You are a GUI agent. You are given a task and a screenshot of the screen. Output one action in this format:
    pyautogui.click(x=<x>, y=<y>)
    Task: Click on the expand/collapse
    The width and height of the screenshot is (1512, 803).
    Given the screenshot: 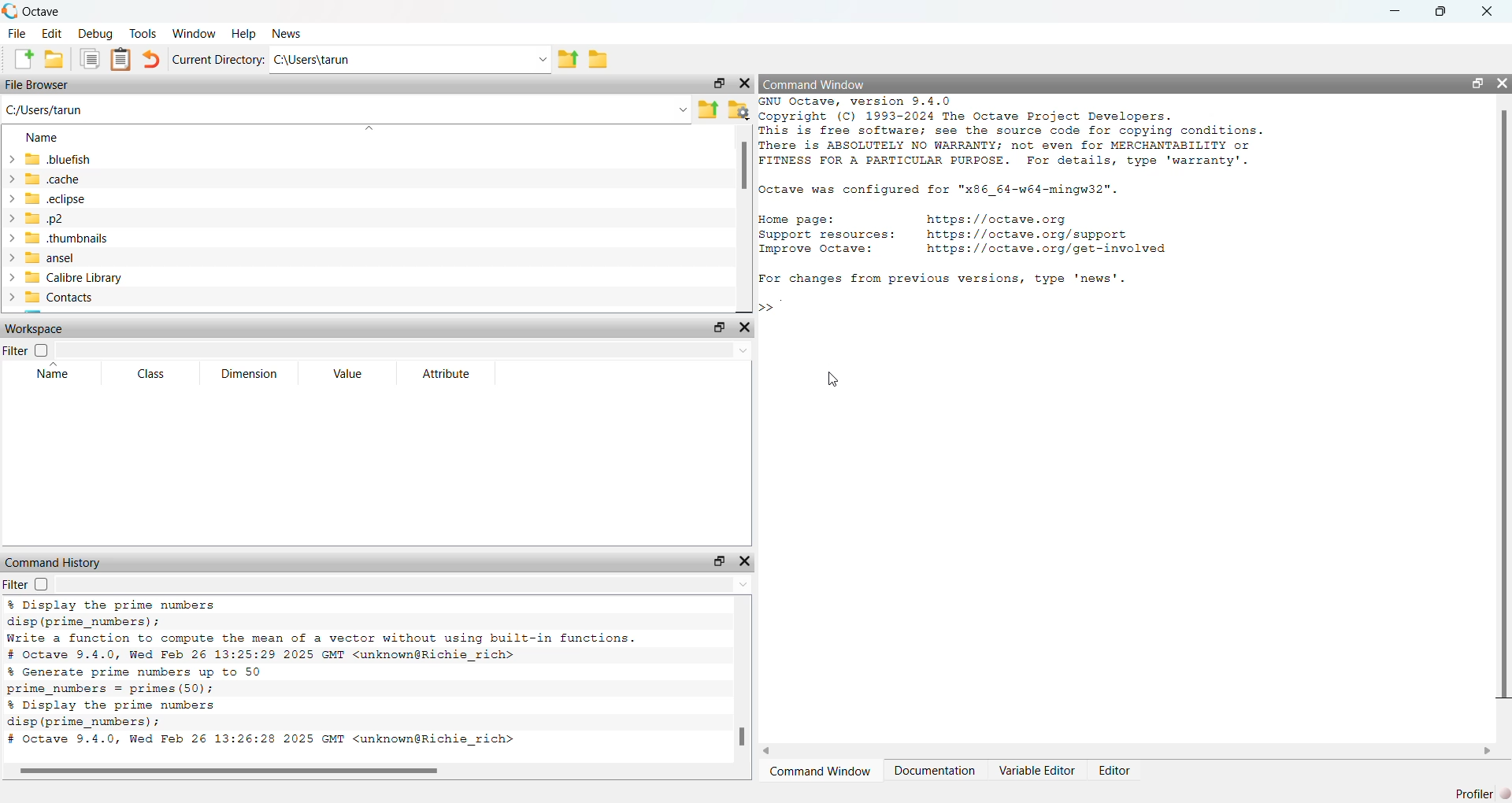 What is the action you would take?
    pyautogui.click(x=12, y=228)
    